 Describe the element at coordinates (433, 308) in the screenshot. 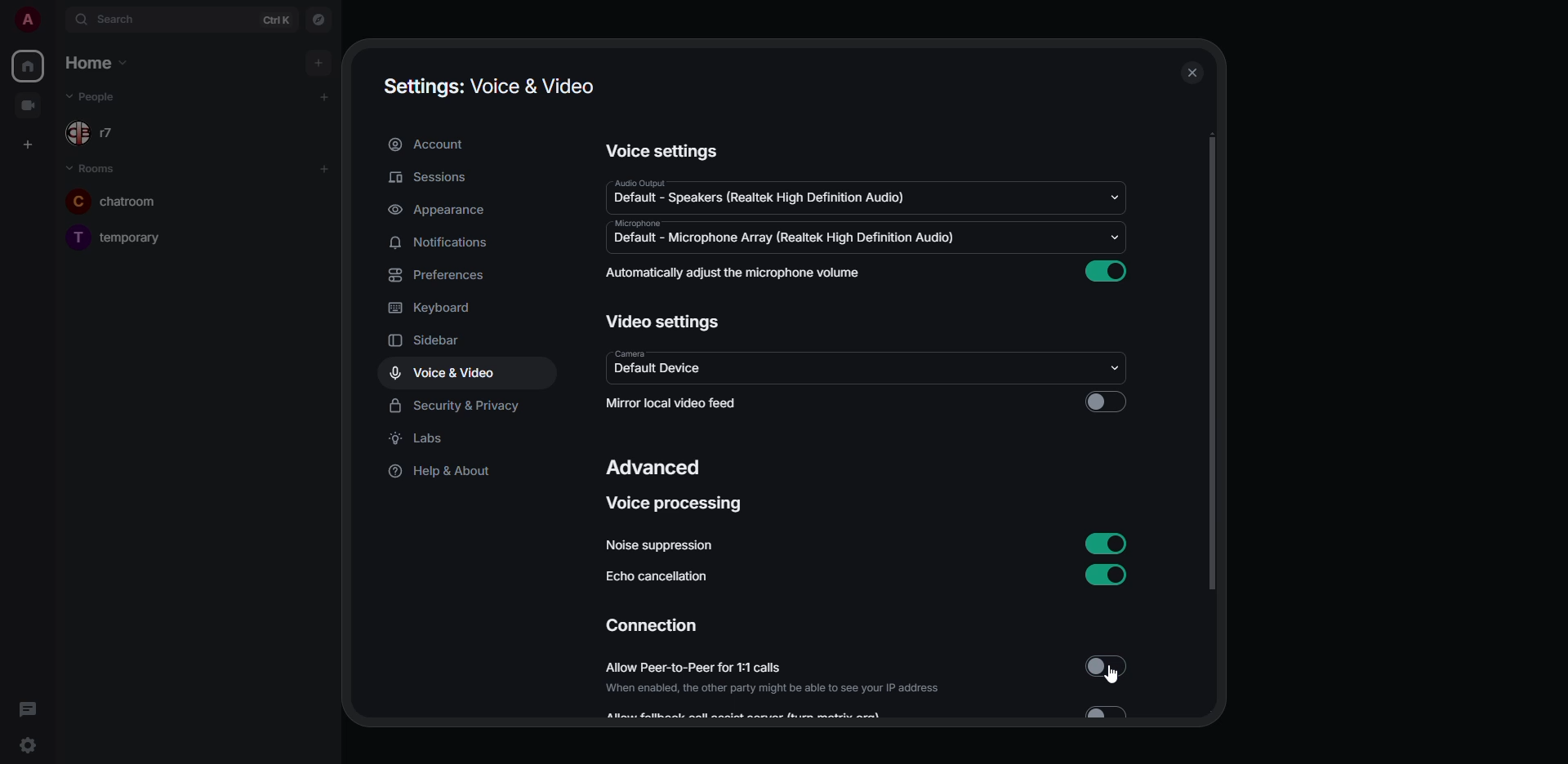

I see `keyboard` at that location.